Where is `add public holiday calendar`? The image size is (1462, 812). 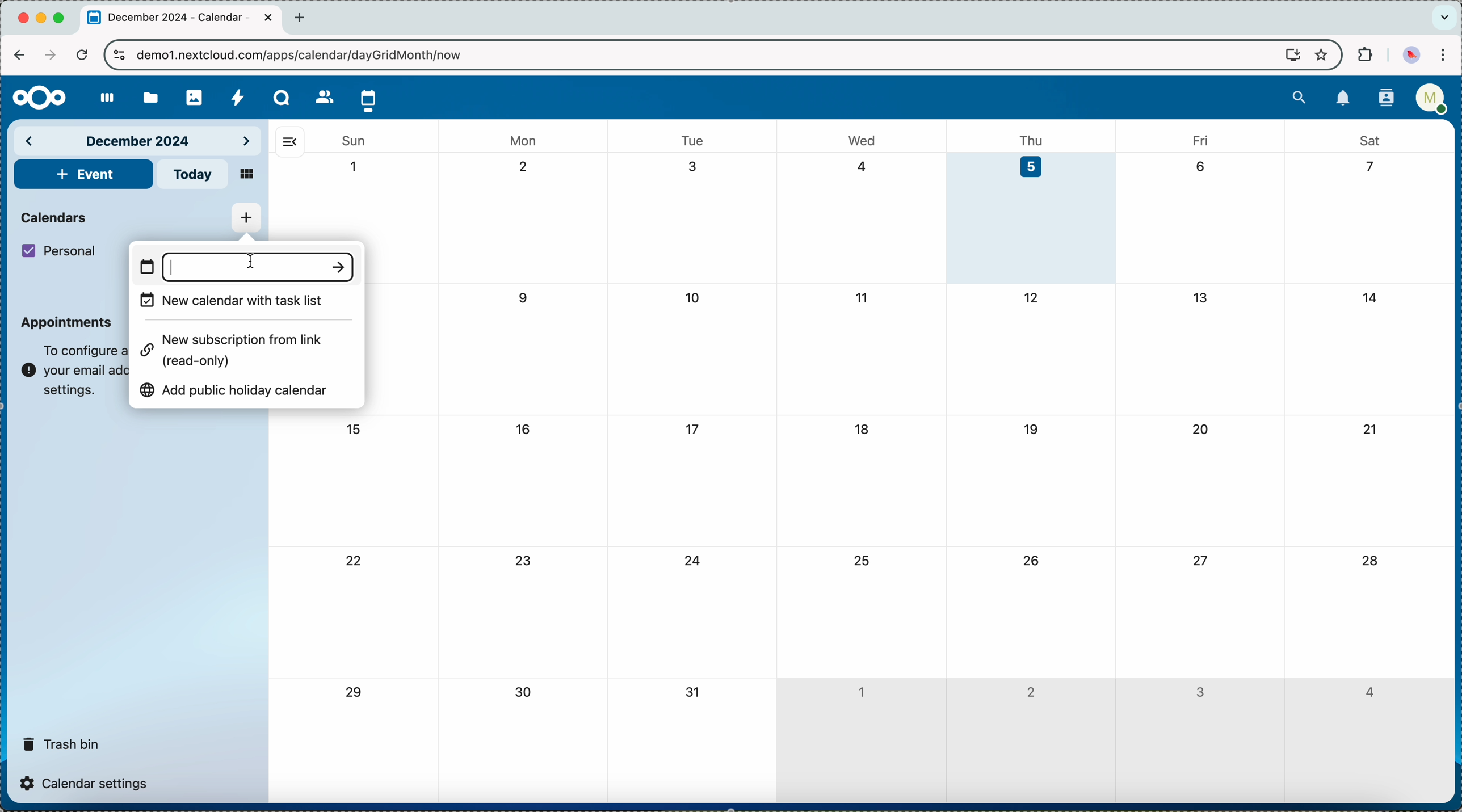
add public holiday calendar is located at coordinates (240, 387).